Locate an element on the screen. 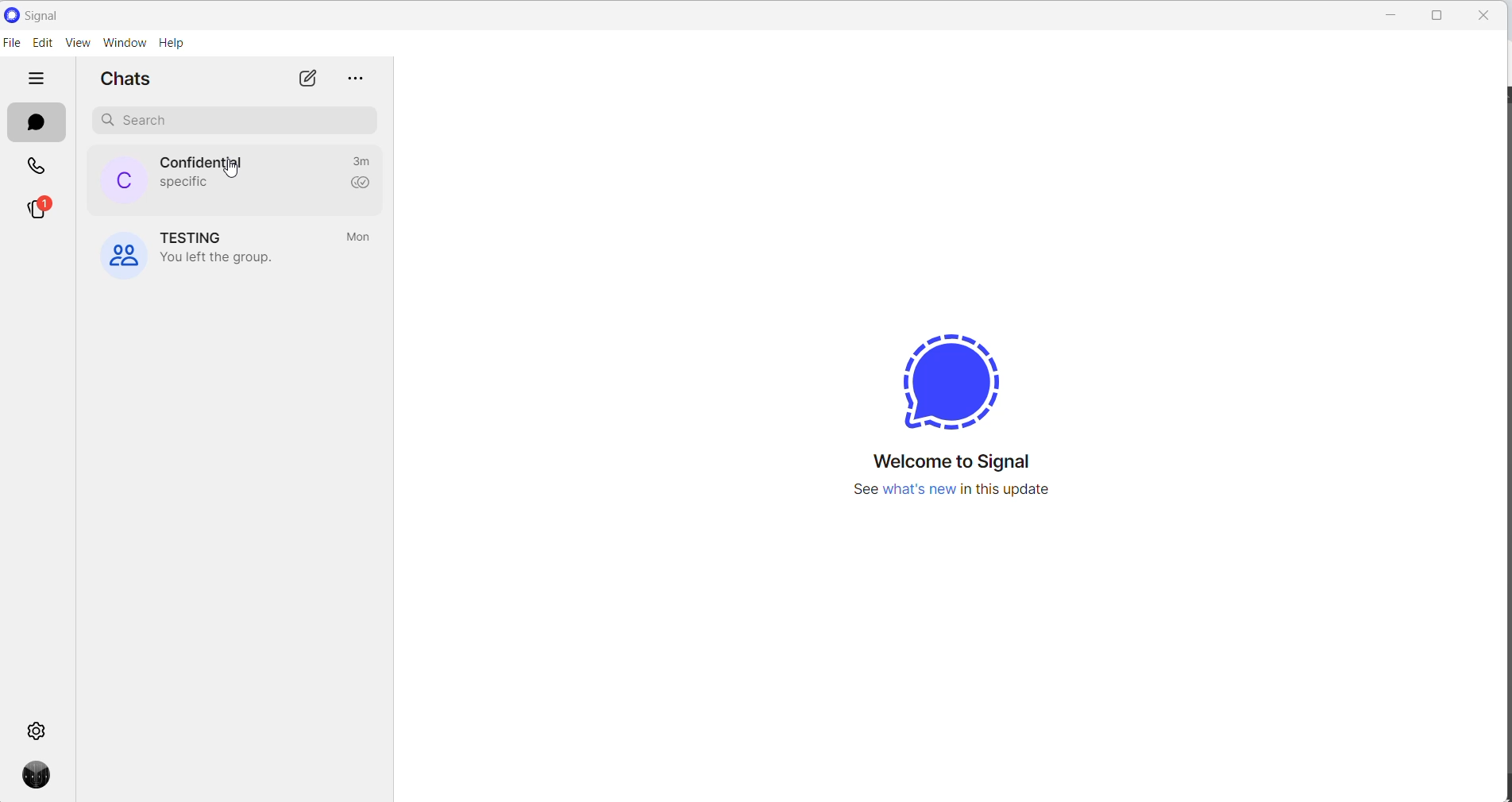 This screenshot has width=1512, height=802. text regarding new update is located at coordinates (956, 492).